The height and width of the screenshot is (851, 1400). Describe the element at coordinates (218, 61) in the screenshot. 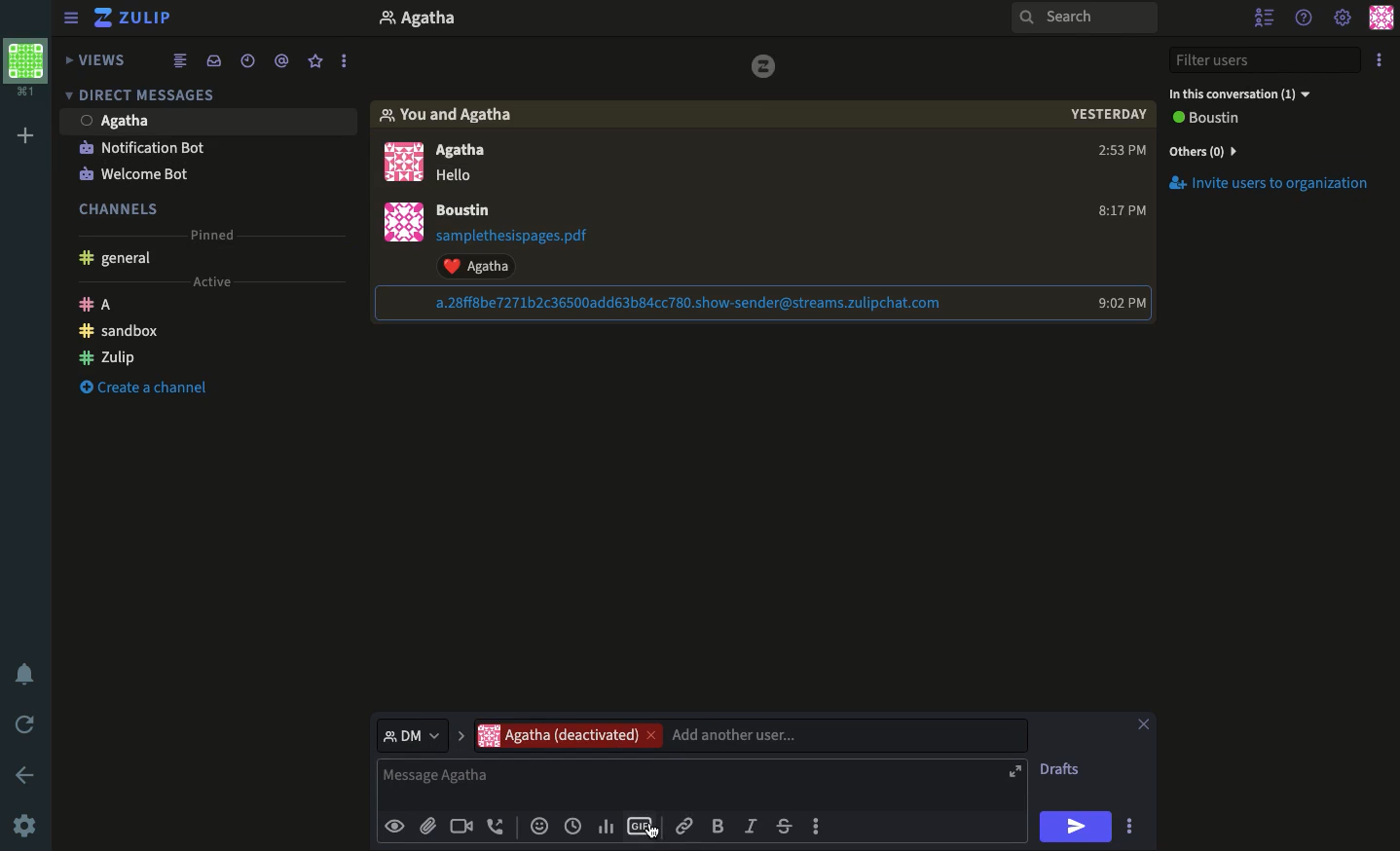

I see `Inbox` at that location.